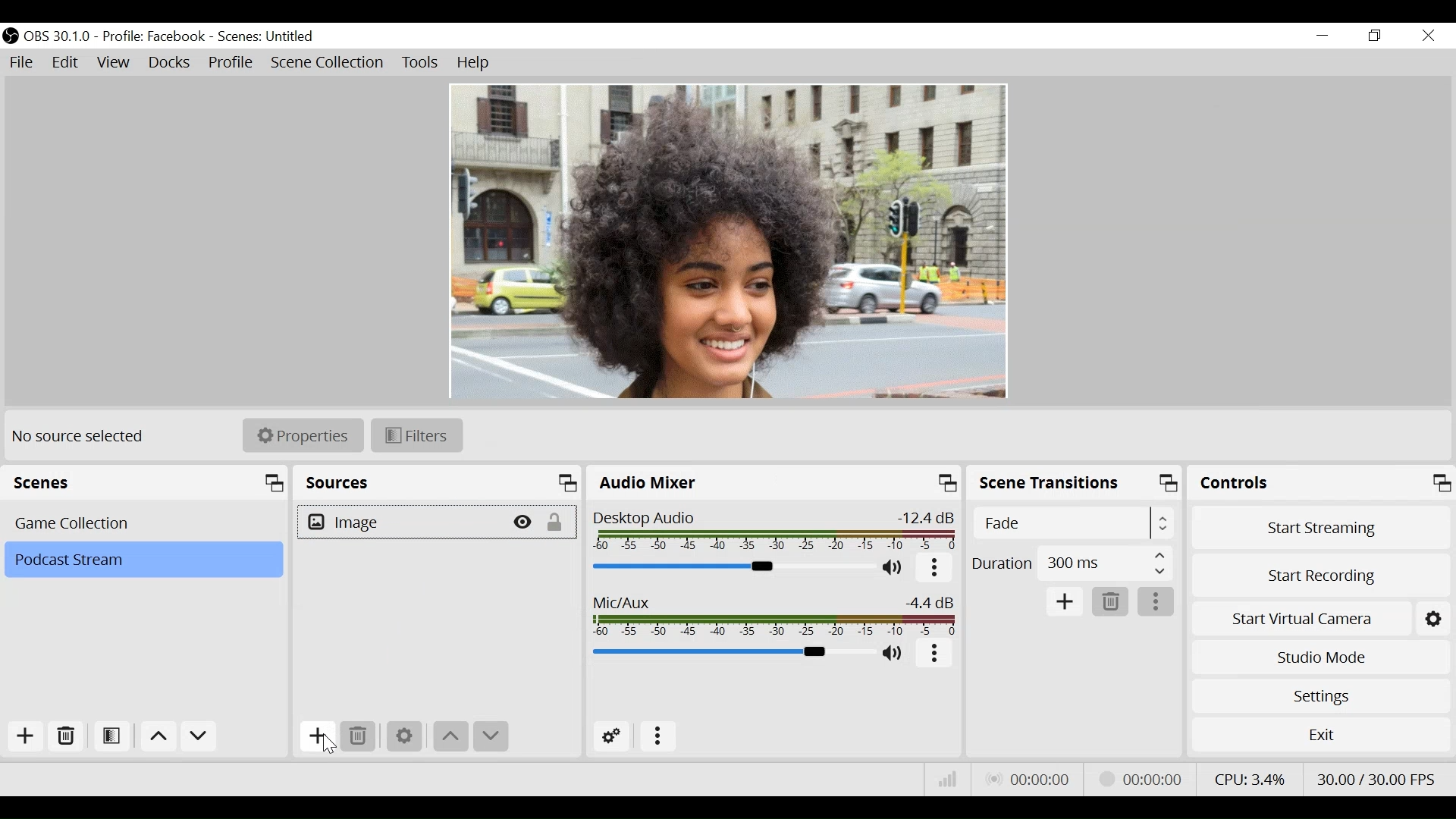 Image resolution: width=1456 pixels, height=819 pixels. Describe the element at coordinates (1321, 738) in the screenshot. I see `Exit` at that location.